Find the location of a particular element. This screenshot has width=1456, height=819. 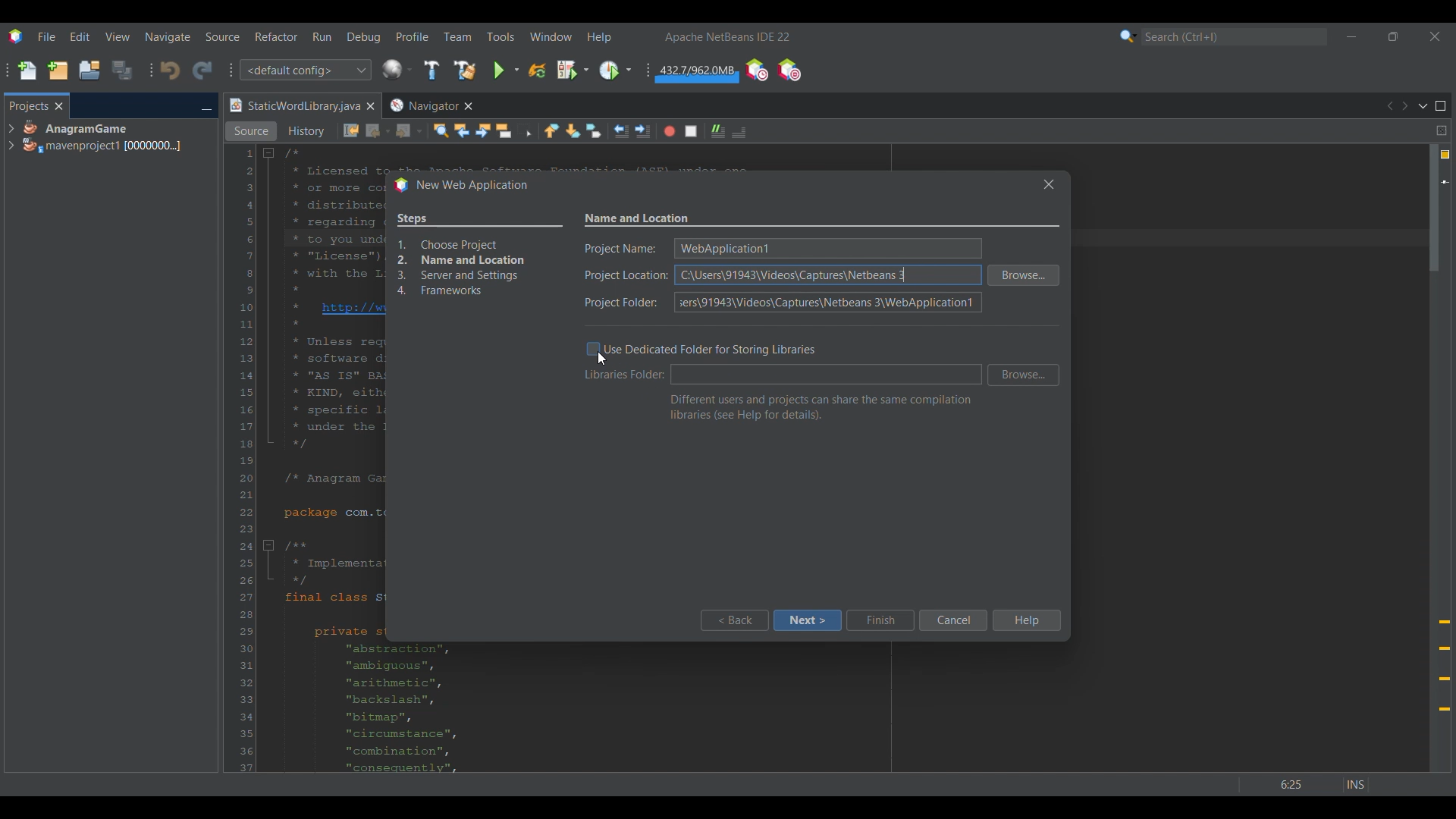

Previous is located at coordinates (1389, 106).